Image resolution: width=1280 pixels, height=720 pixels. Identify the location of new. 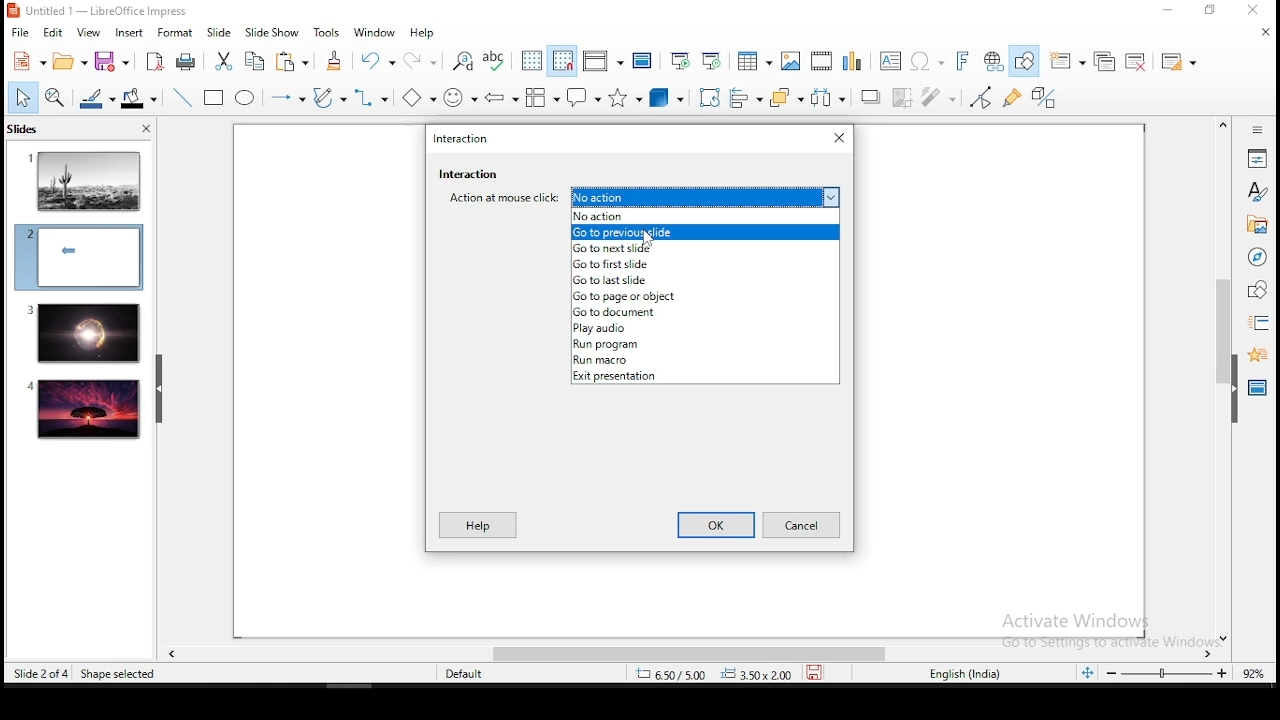
(27, 61).